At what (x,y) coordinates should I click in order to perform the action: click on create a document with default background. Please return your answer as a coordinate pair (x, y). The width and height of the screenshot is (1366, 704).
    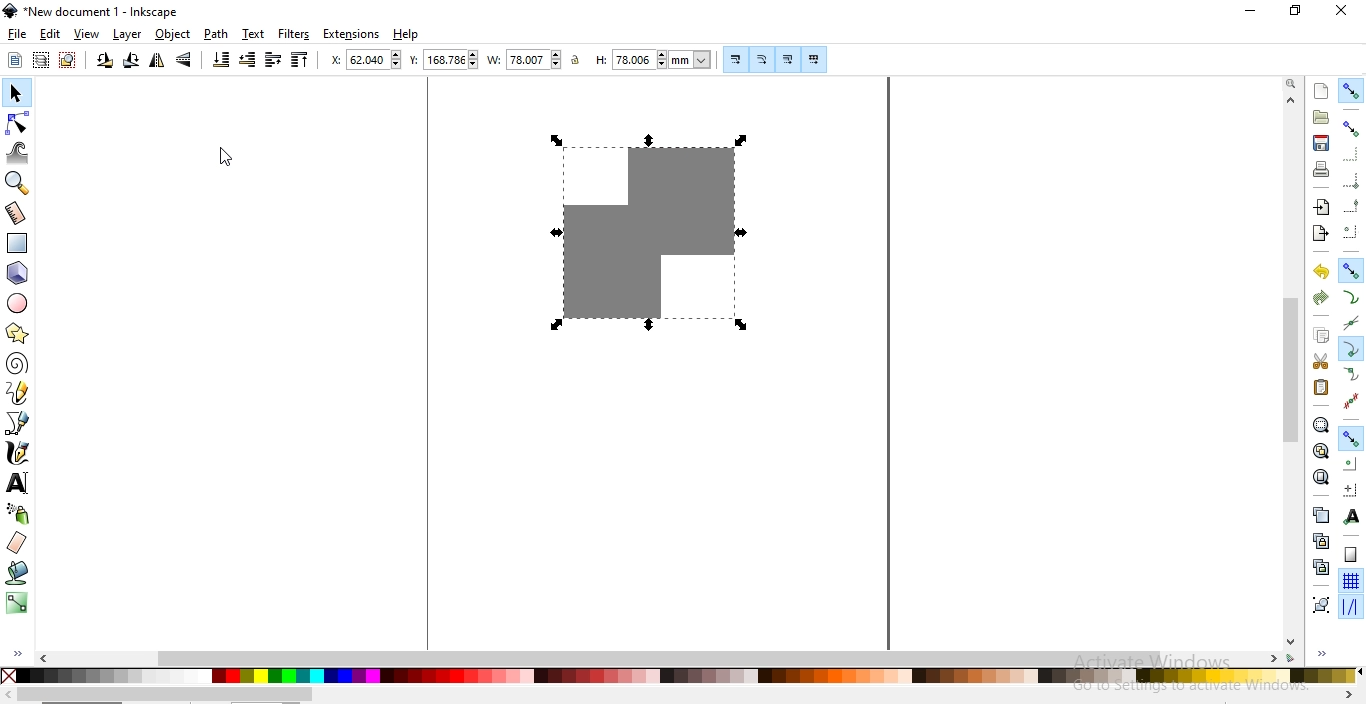
    Looking at the image, I should click on (1321, 91).